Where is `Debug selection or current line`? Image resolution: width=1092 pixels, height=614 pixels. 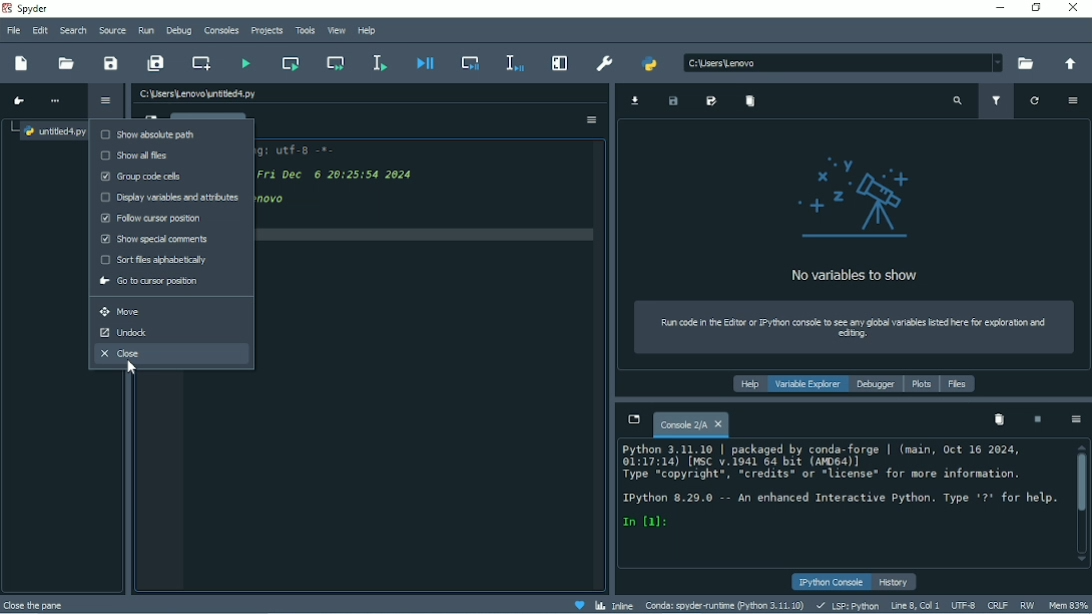 Debug selection or current line is located at coordinates (514, 62).